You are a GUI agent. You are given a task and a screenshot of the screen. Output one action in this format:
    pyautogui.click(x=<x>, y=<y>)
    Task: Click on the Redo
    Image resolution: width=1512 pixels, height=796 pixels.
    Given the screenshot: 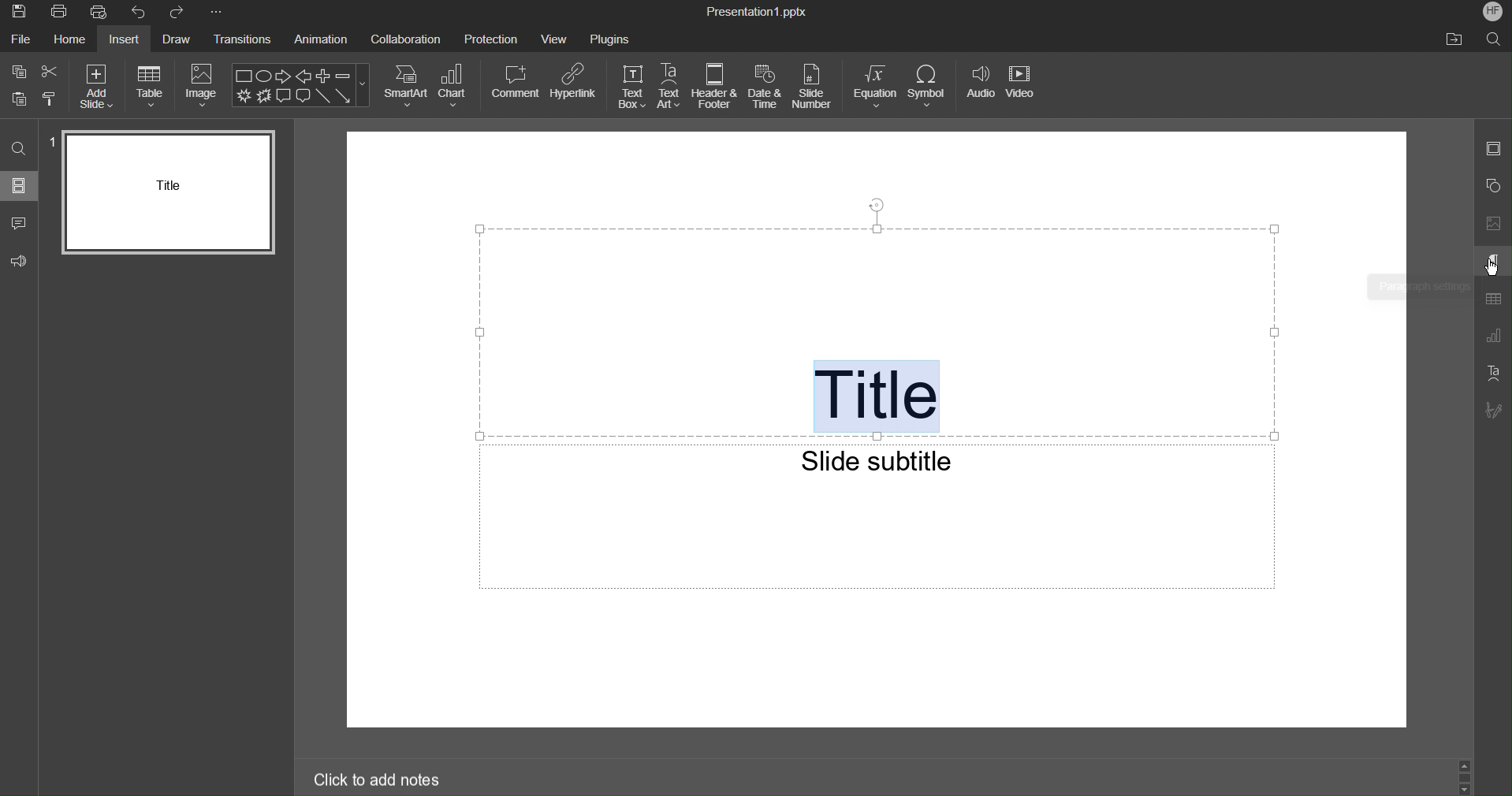 What is the action you would take?
    pyautogui.click(x=180, y=13)
    